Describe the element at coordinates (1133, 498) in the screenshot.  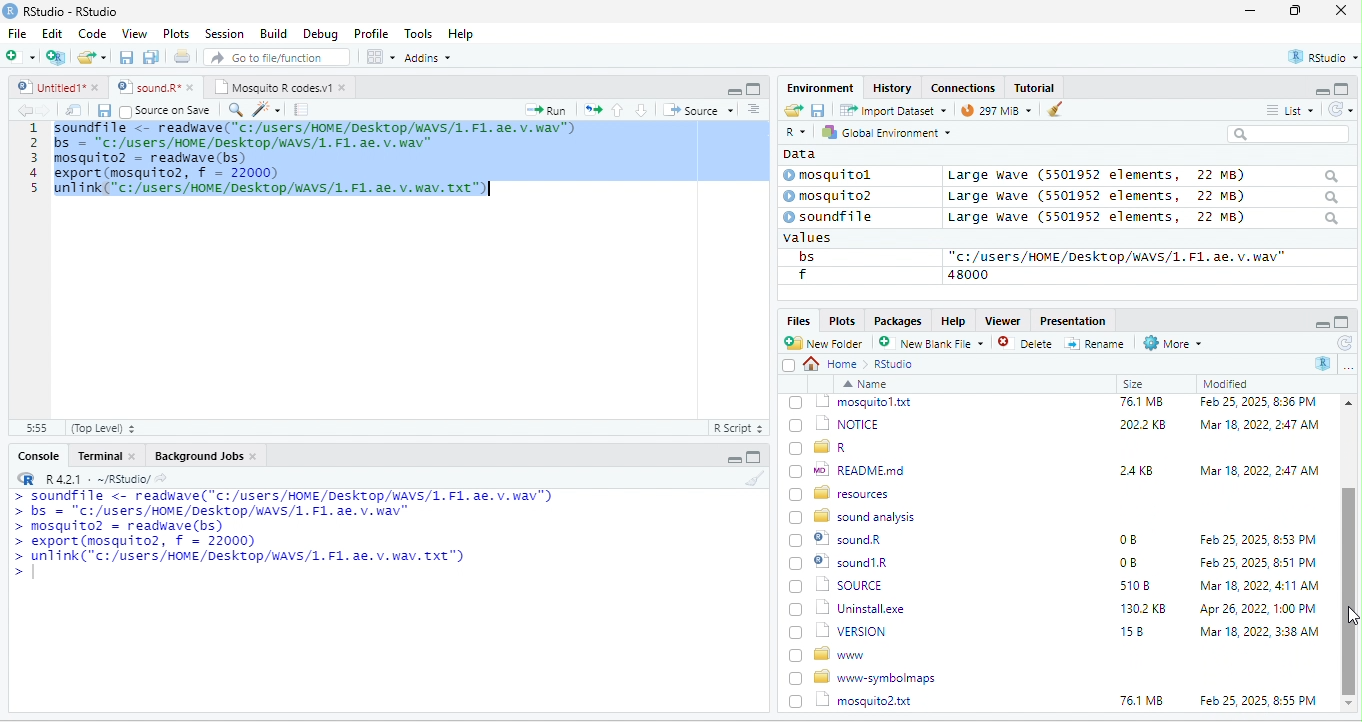
I see `6KB` at that location.